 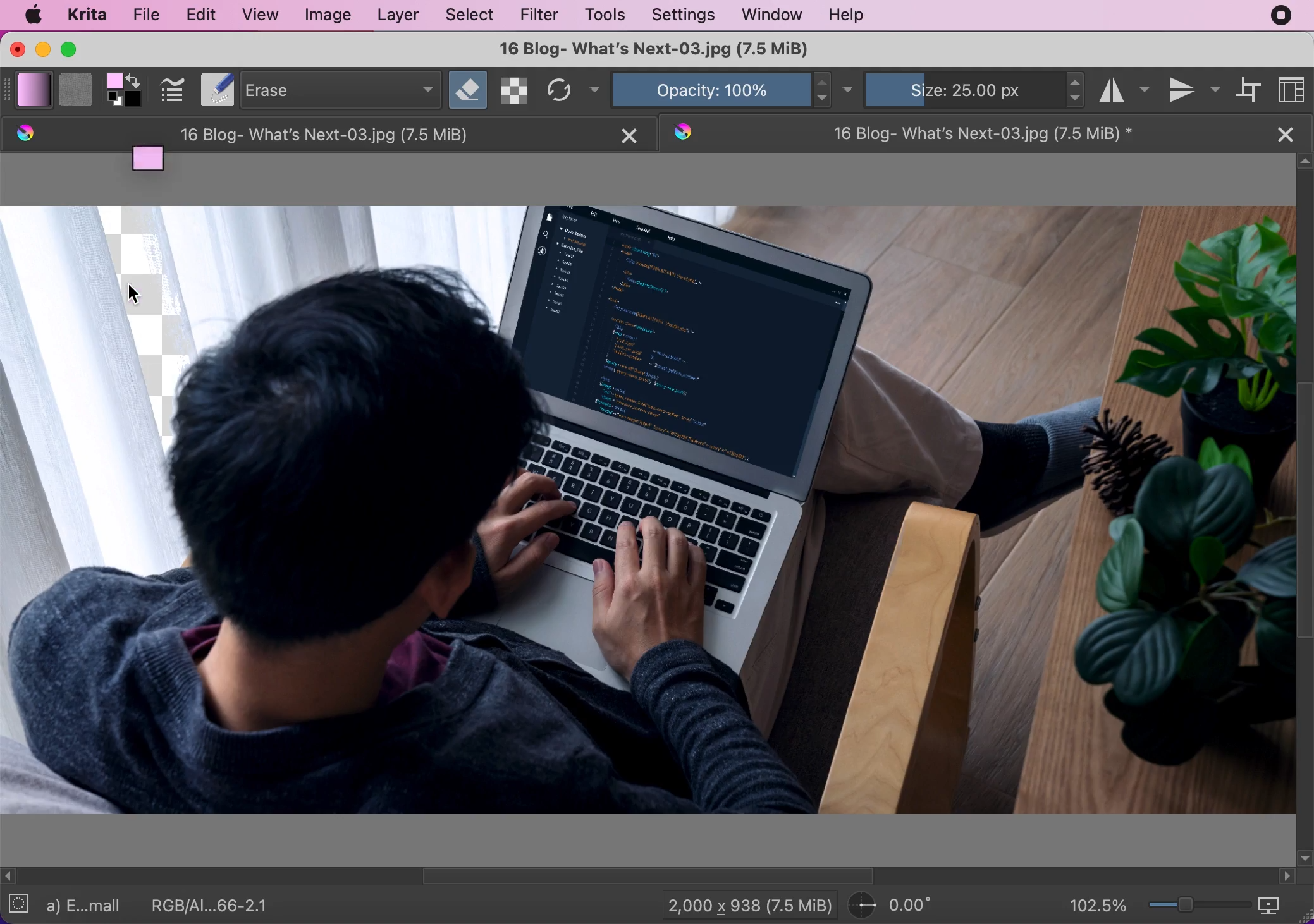 What do you see at coordinates (684, 15) in the screenshot?
I see `settings` at bounding box center [684, 15].